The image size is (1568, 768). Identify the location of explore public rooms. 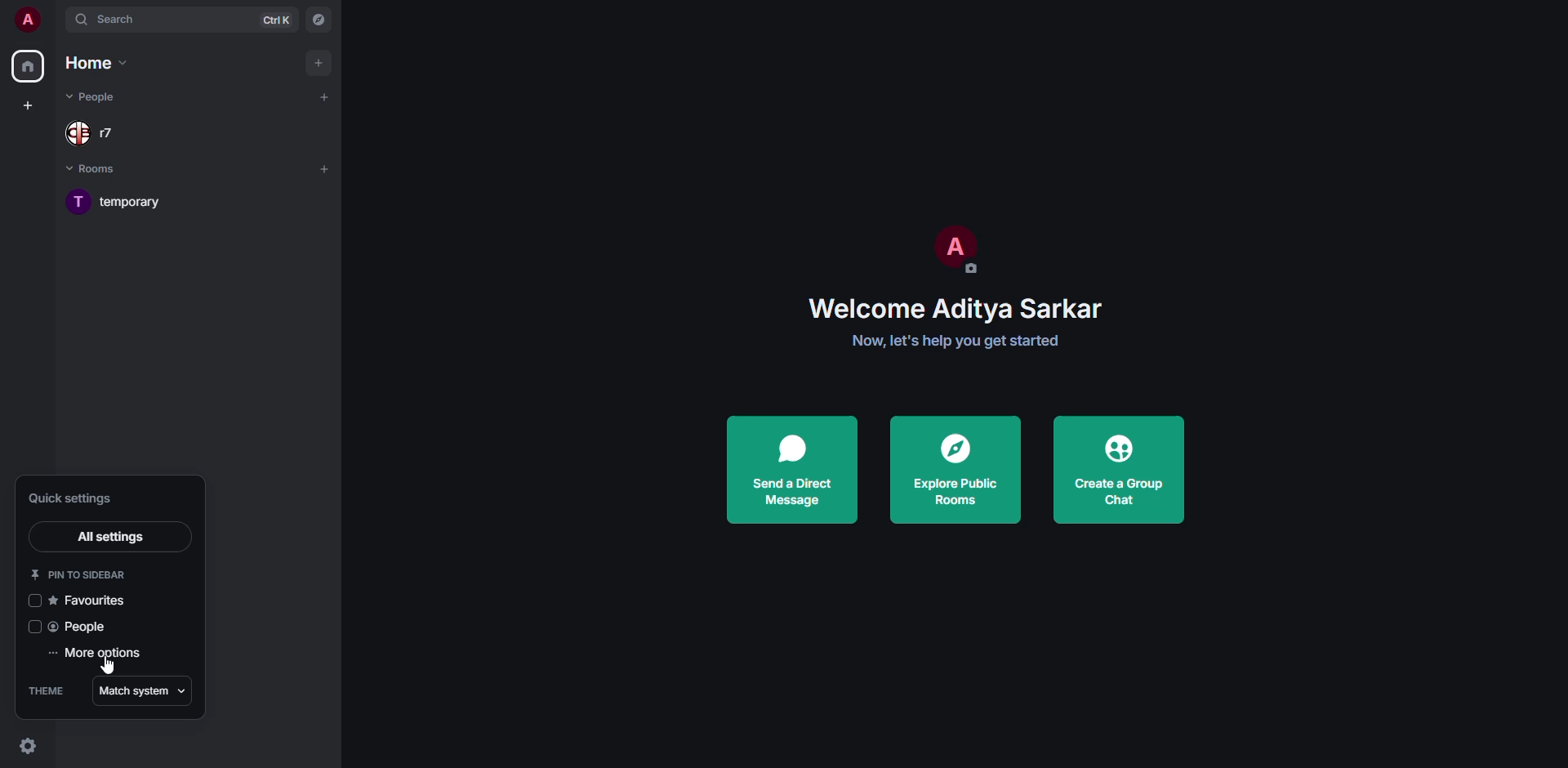
(954, 470).